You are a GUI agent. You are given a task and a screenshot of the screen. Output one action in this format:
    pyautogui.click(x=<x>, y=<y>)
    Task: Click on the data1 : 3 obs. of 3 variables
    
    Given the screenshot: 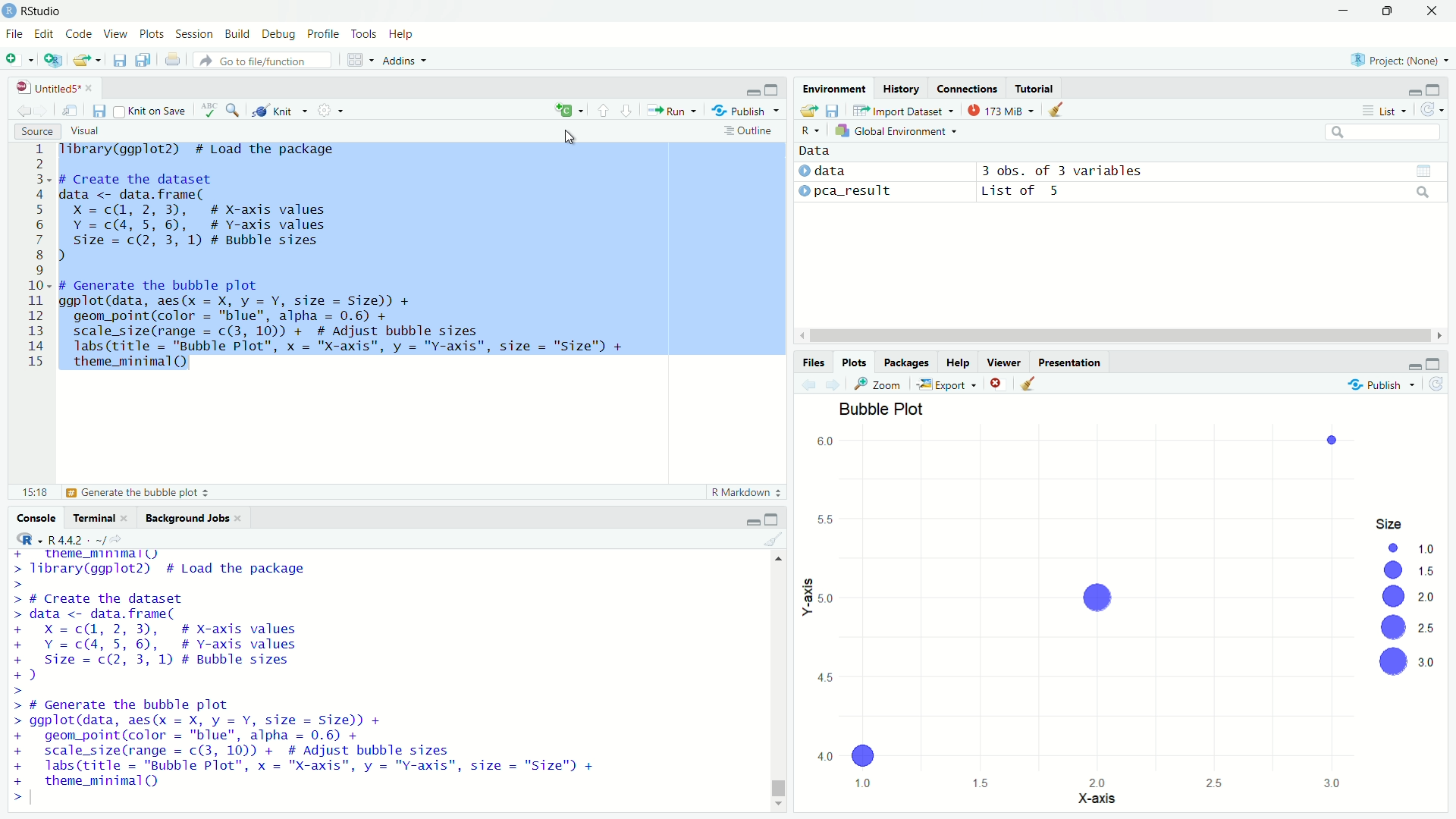 What is the action you would take?
    pyautogui.click(x=1212, y=172)
    